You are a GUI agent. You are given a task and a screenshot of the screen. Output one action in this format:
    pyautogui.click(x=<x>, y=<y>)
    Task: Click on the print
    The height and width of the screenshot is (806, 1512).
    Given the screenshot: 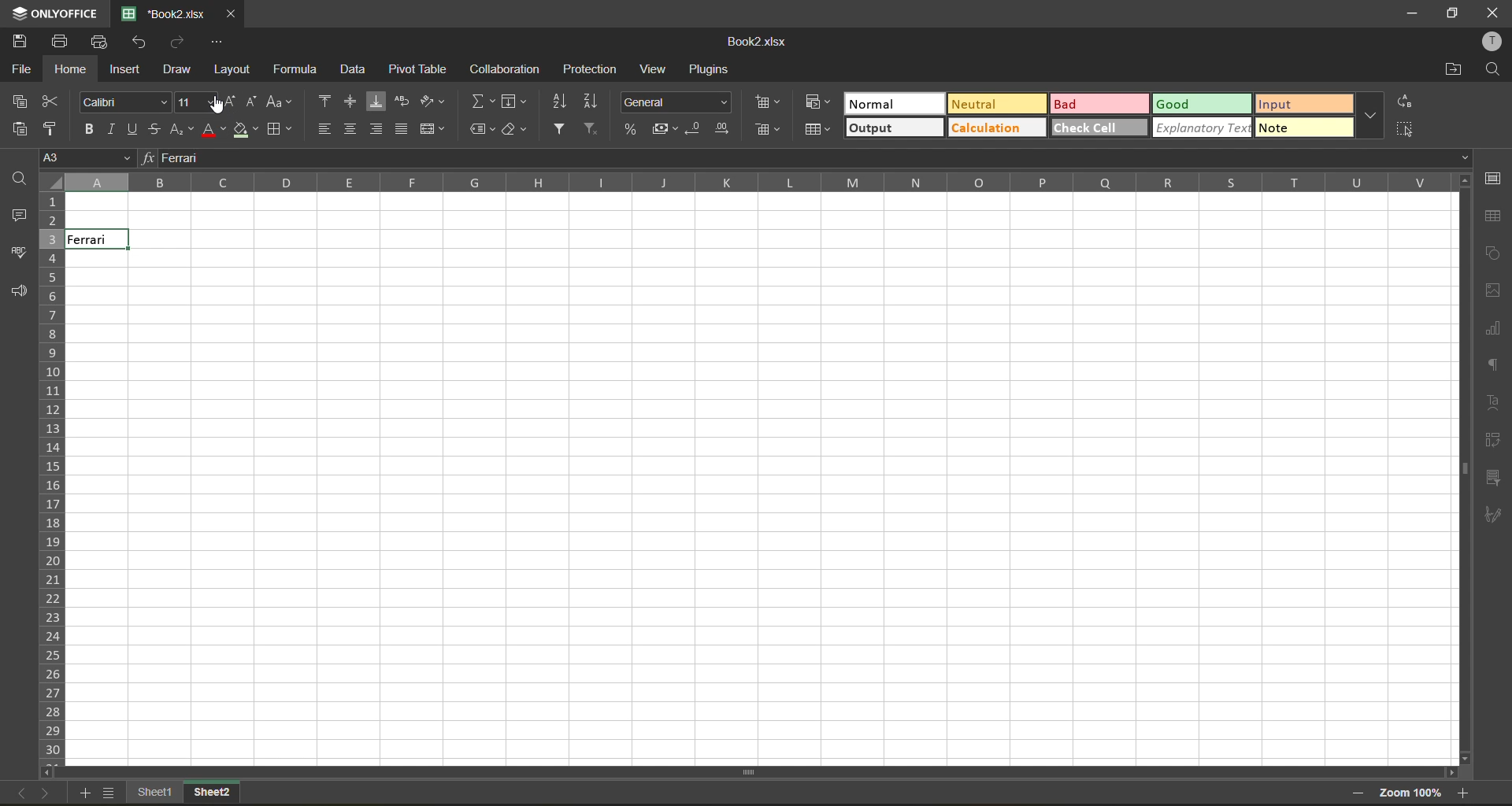 What is the action you would take?
    pyautogui.click(x=64, y=43)
    